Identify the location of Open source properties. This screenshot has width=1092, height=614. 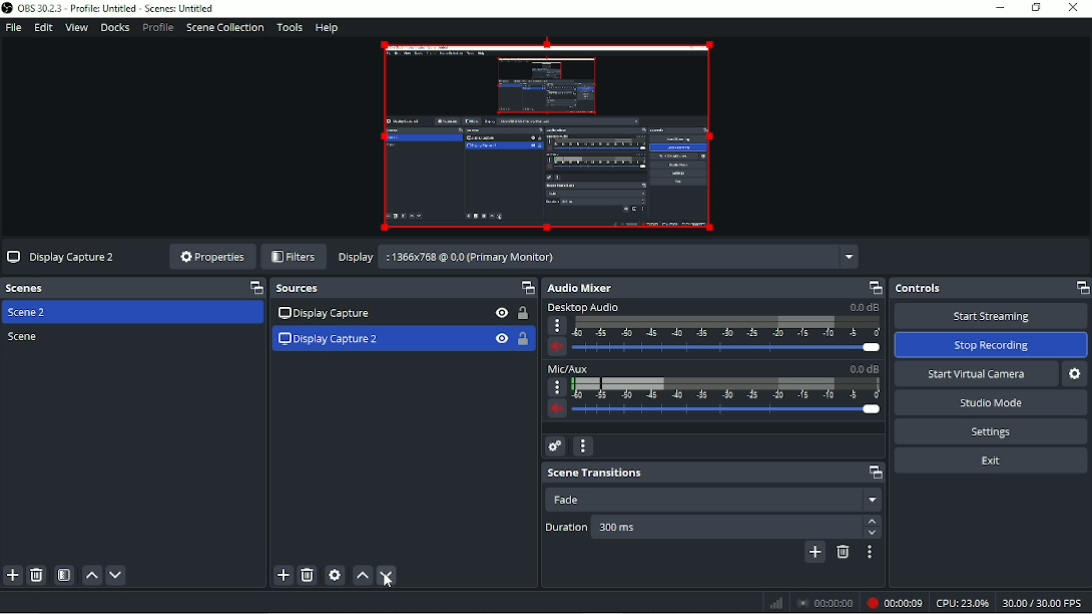
(334, 575).